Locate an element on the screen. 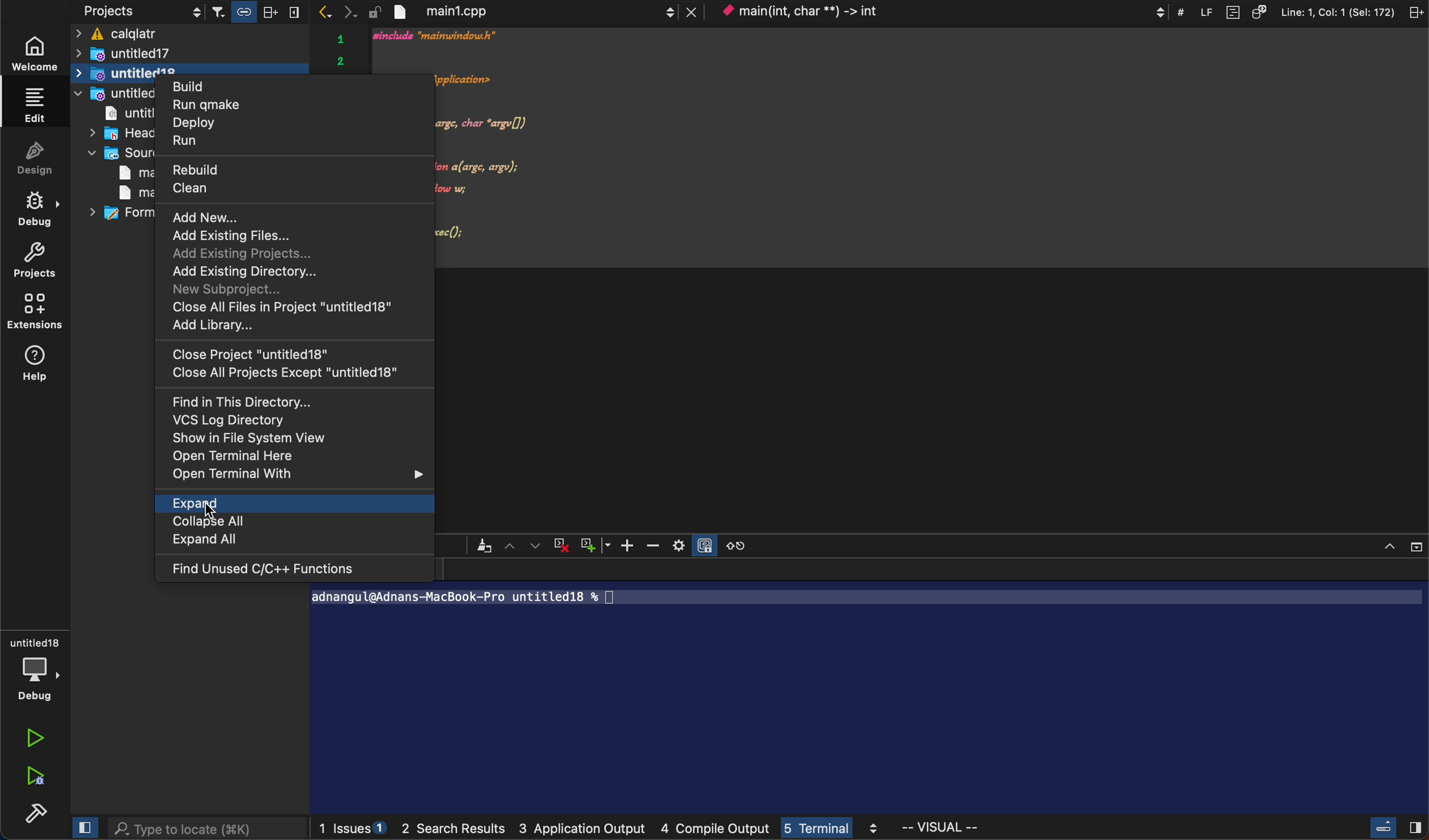 Image resolution: width=1429 pixels, height=840 pixels. link is located at coordinates (242, 11).